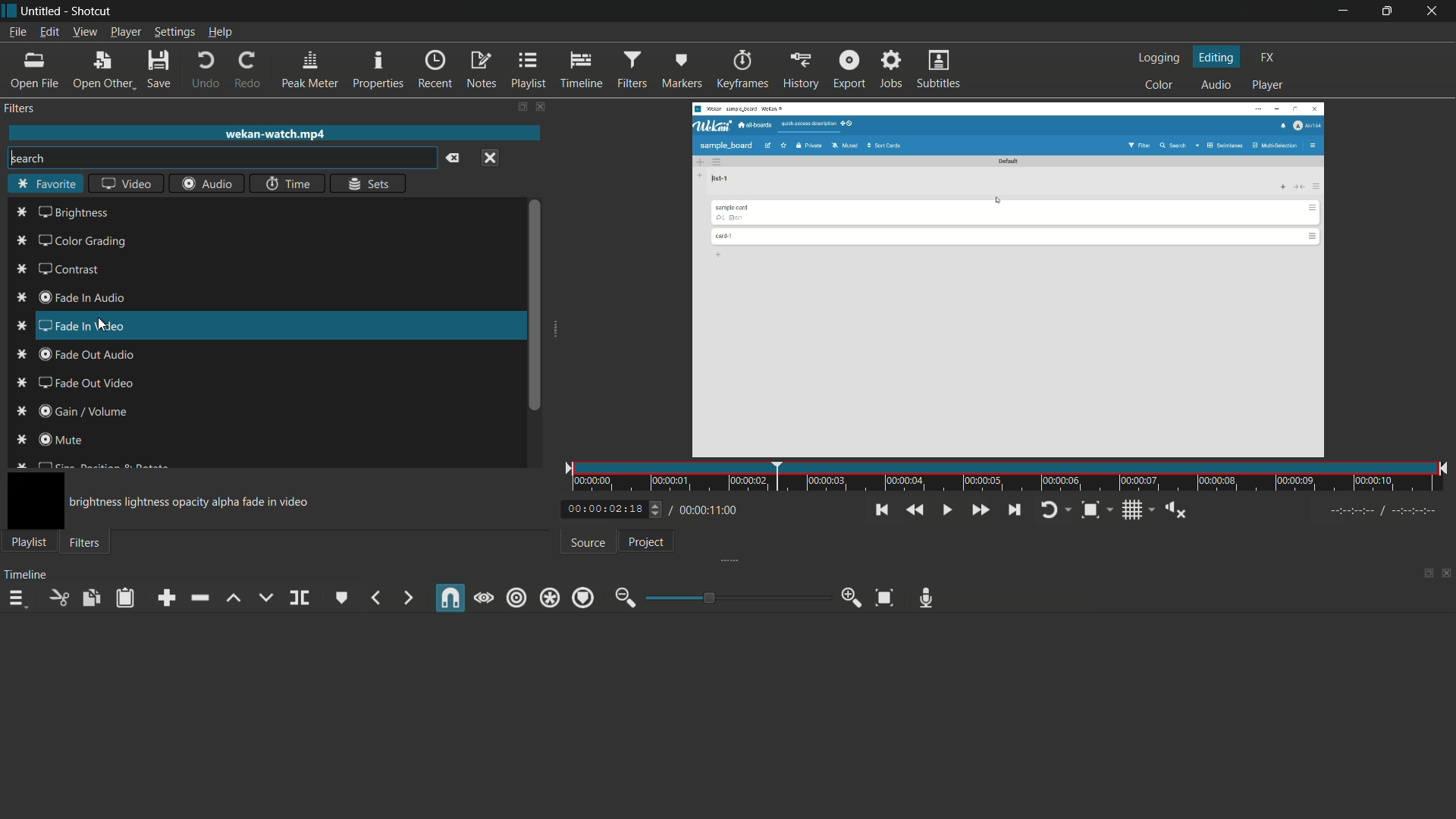  Describe the element at coordinates (712, 510) in the screenshot. I see `total time` at that location.